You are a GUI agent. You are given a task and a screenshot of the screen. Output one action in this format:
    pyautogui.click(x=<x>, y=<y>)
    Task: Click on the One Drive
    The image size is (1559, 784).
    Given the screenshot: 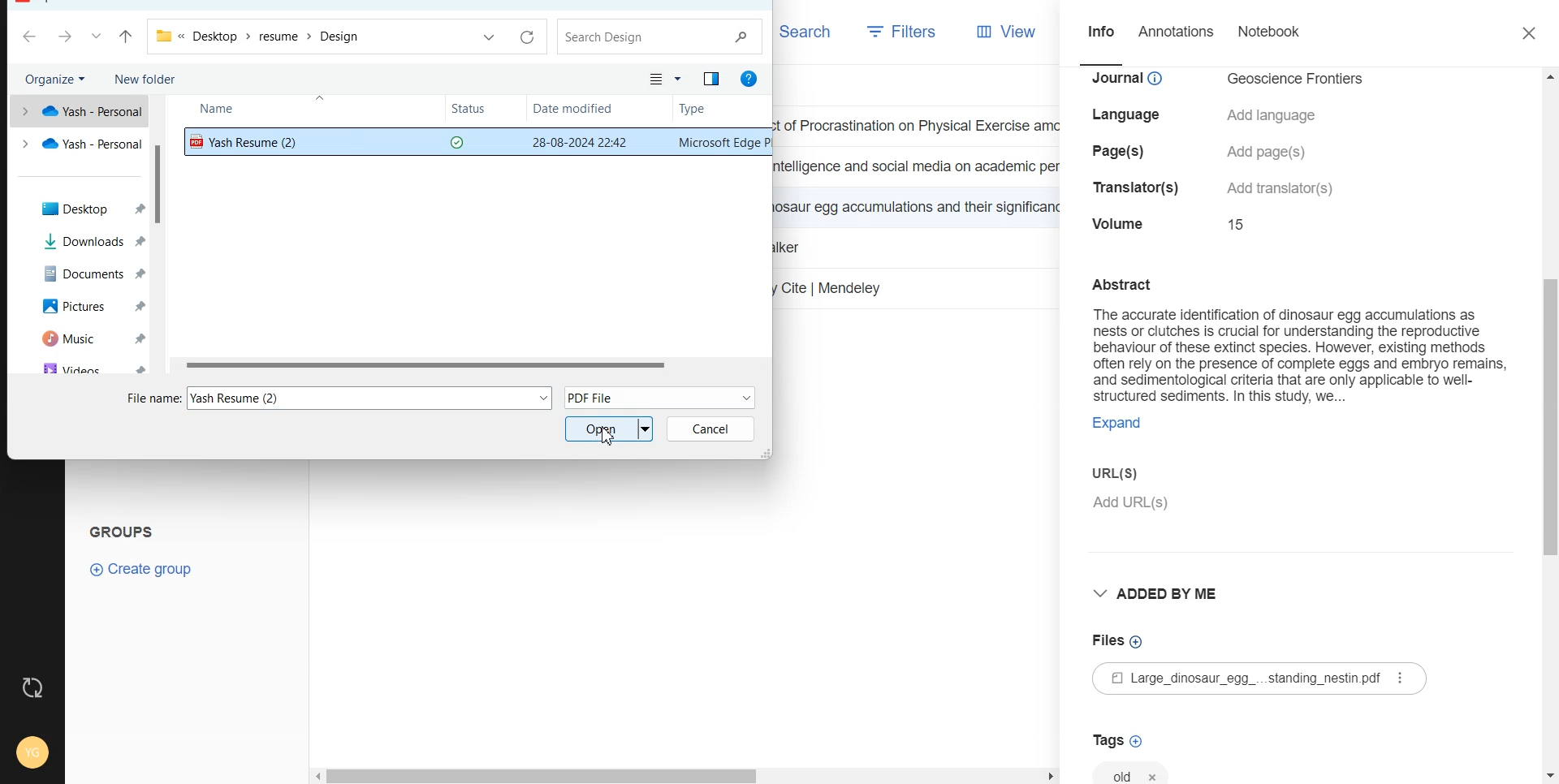 What is the action you would take?
    pyautogui.click(x=78, y=110)
    